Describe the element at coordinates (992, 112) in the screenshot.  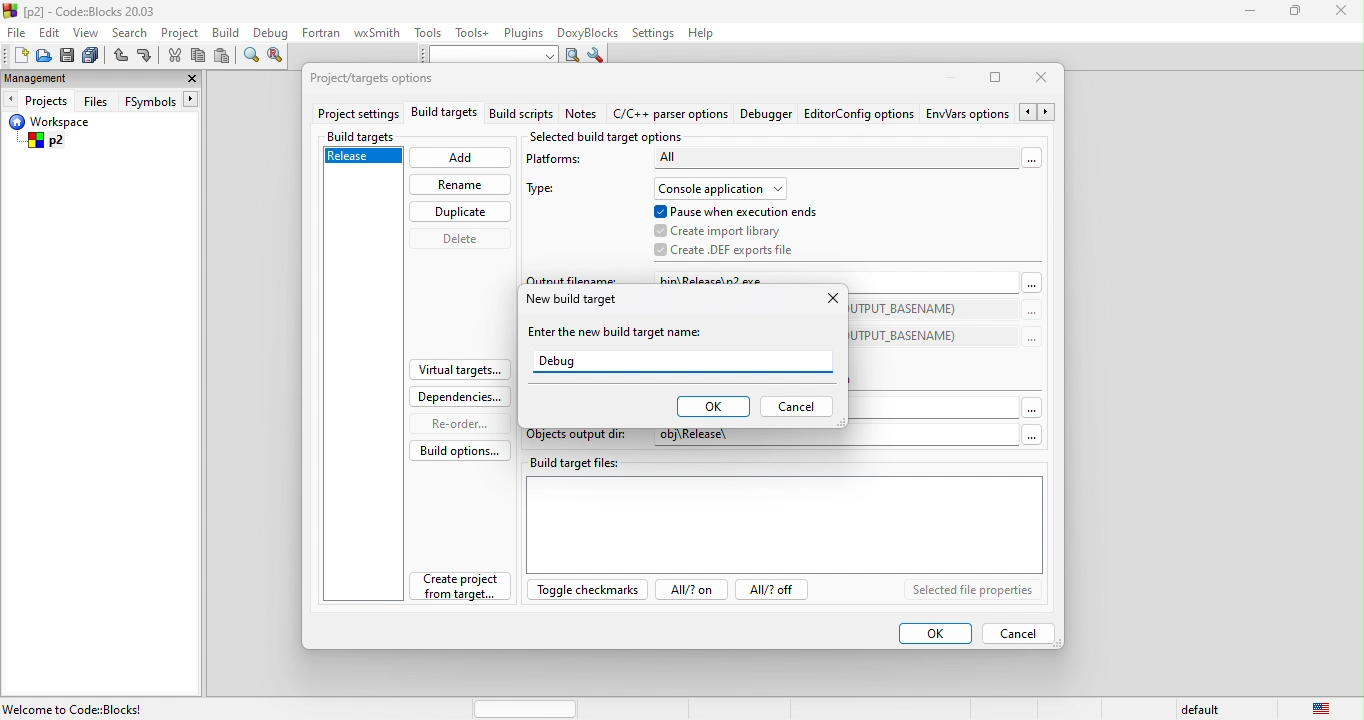
I see `env\vars option` at that location.